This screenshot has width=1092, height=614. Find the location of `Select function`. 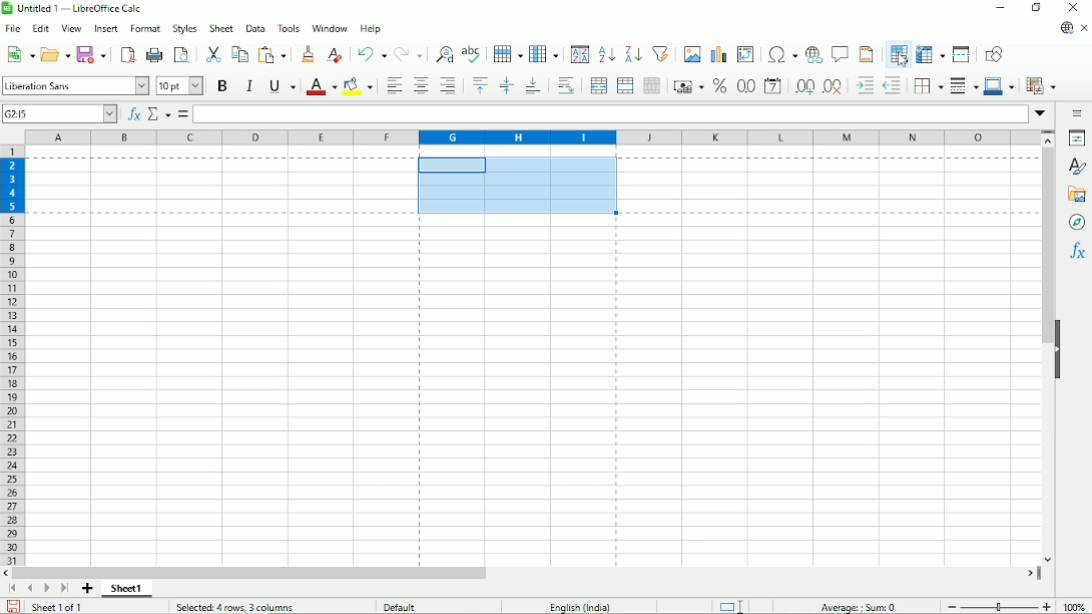

Select function is located at coordinates (159, 114).